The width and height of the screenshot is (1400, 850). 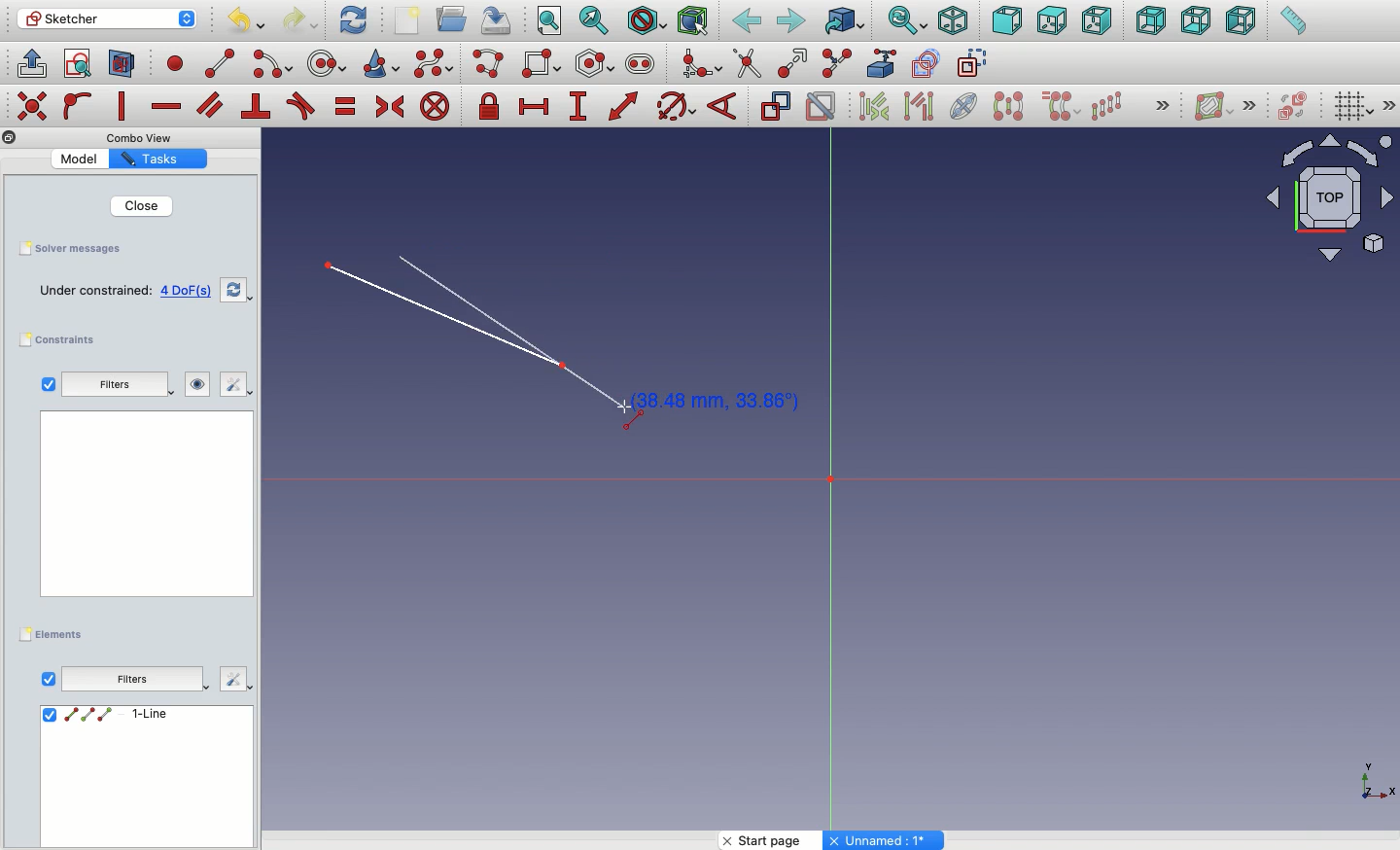 What do you see at coordinates (234, 385) in the screenshot?
I see `Edit` at bounding box center [234, 385].